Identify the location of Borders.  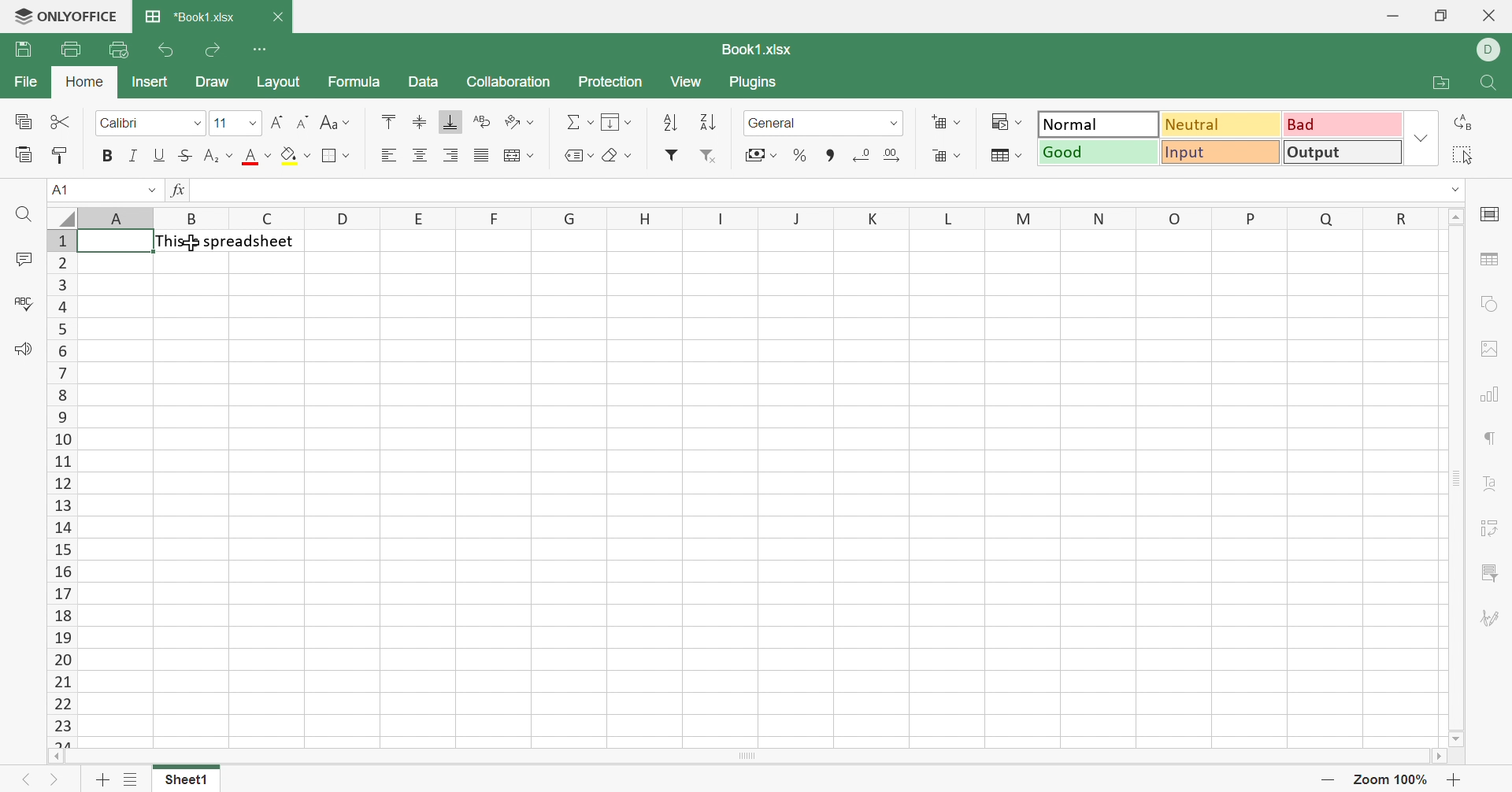
(332, 156).